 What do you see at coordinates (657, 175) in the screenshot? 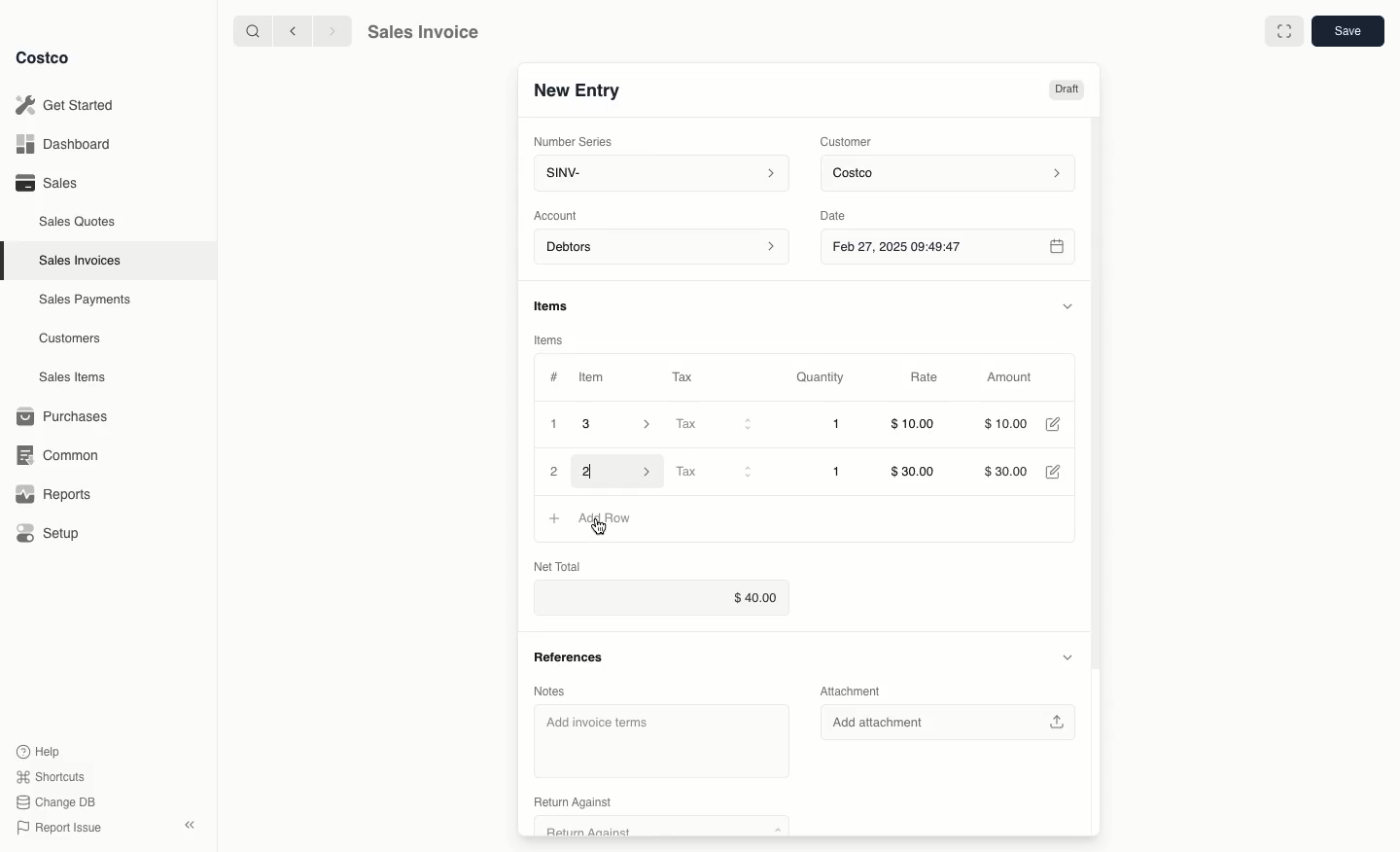
I see `SINV-` at bounding box center [657, 175].